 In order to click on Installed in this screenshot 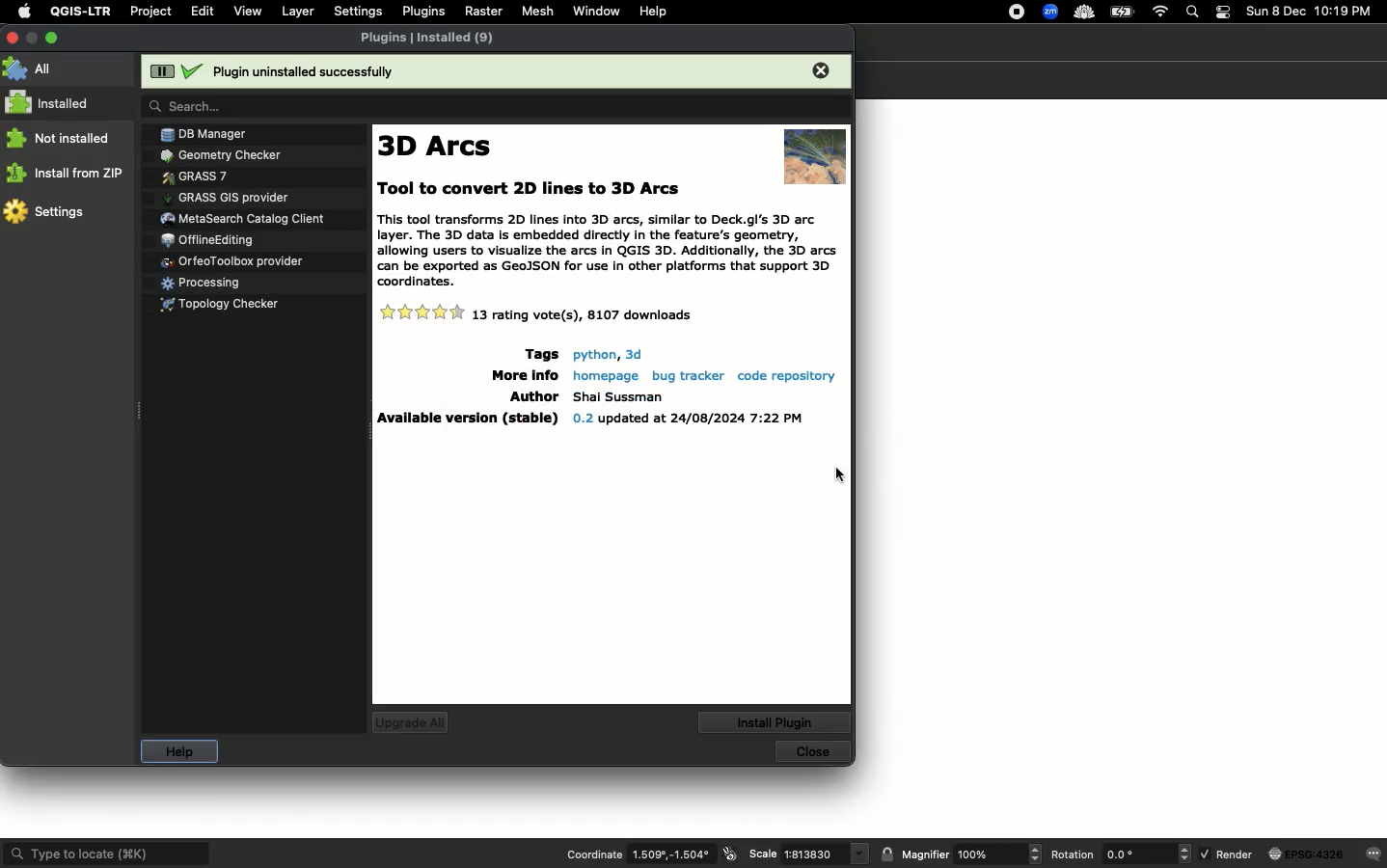, I will do `click(50, 104)`.